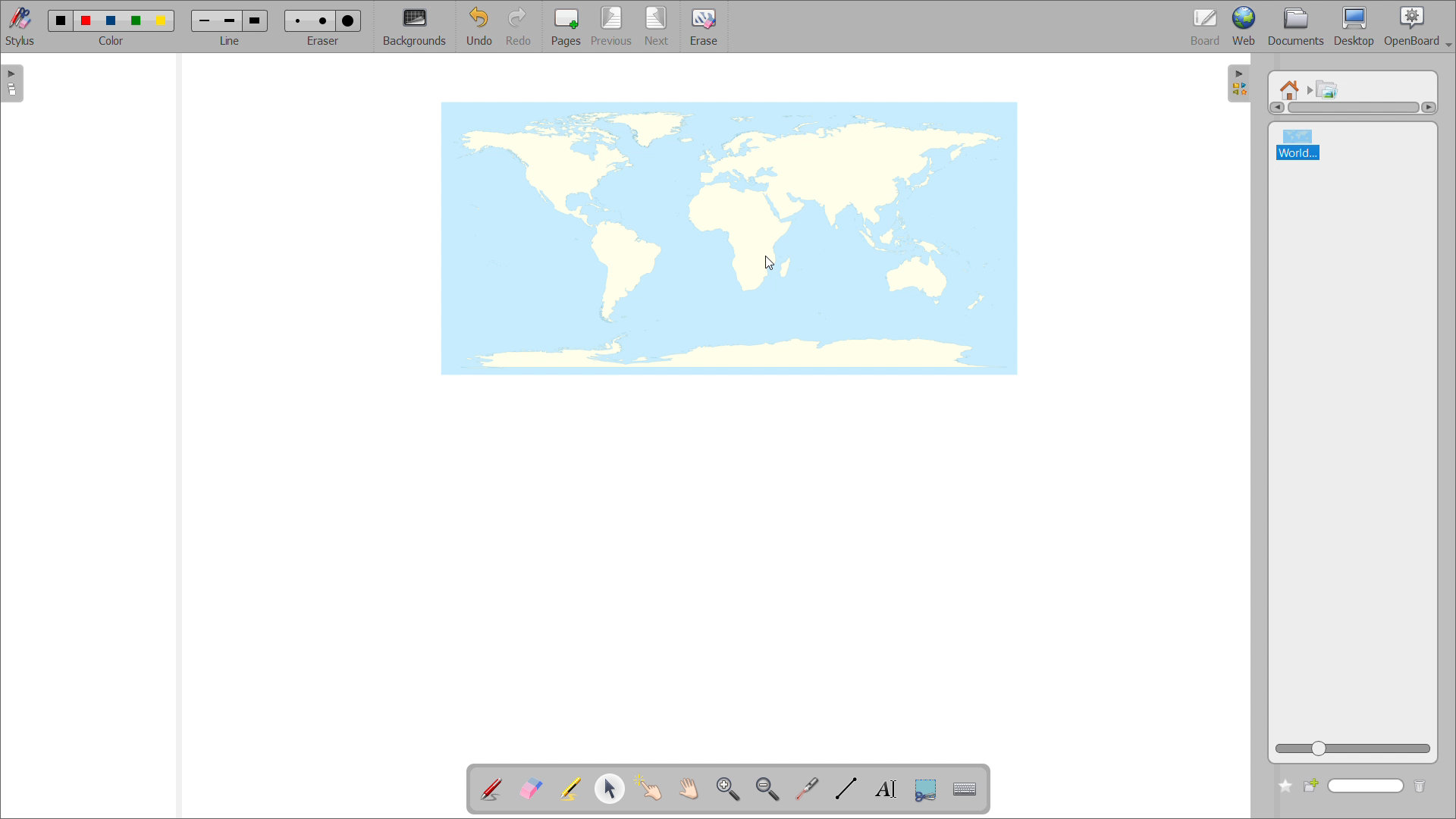 This screenshot has width=1456, height=819. I want to click on undo, so click(479, 26).